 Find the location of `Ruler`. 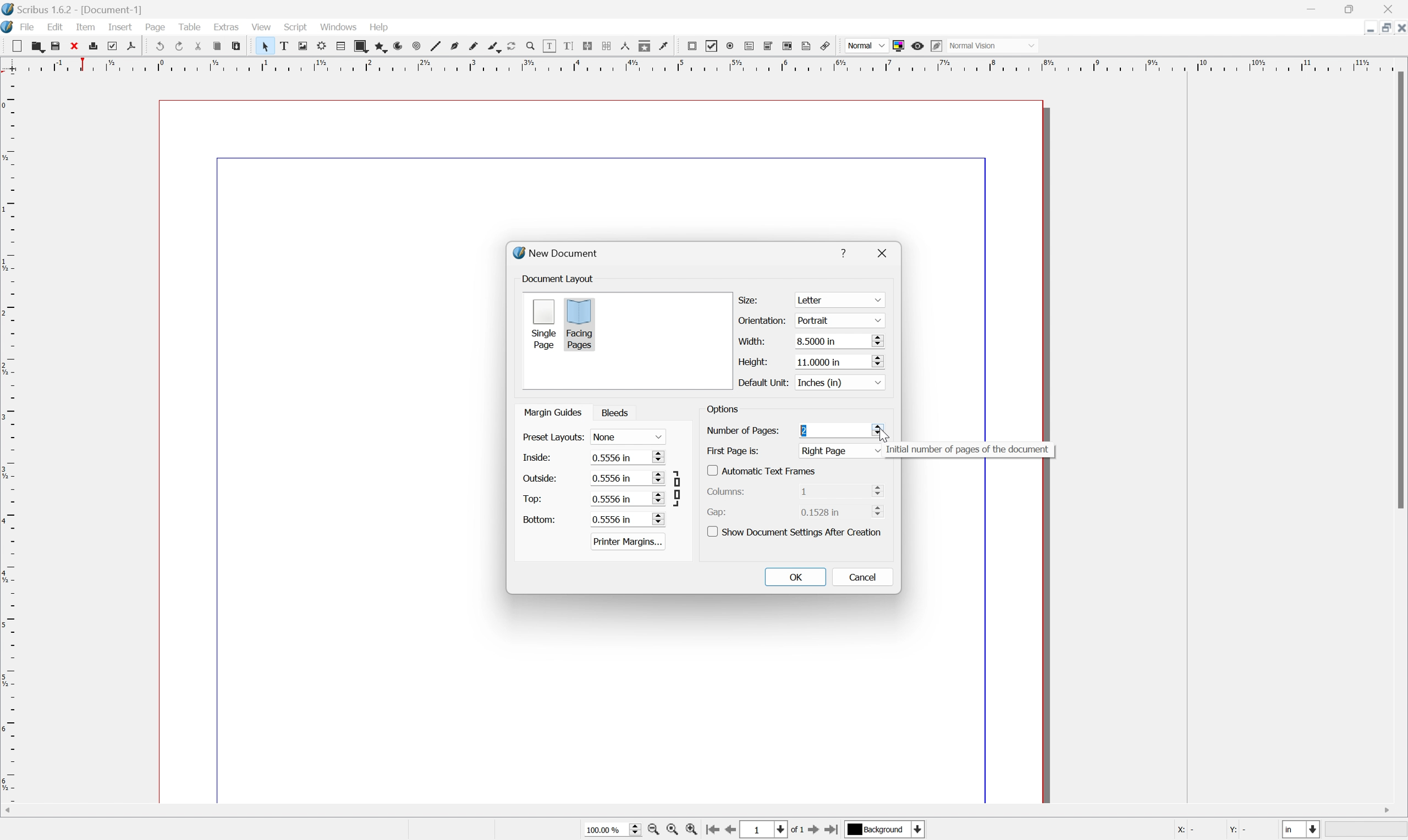

Ruler is located at coordinates (700, 64).